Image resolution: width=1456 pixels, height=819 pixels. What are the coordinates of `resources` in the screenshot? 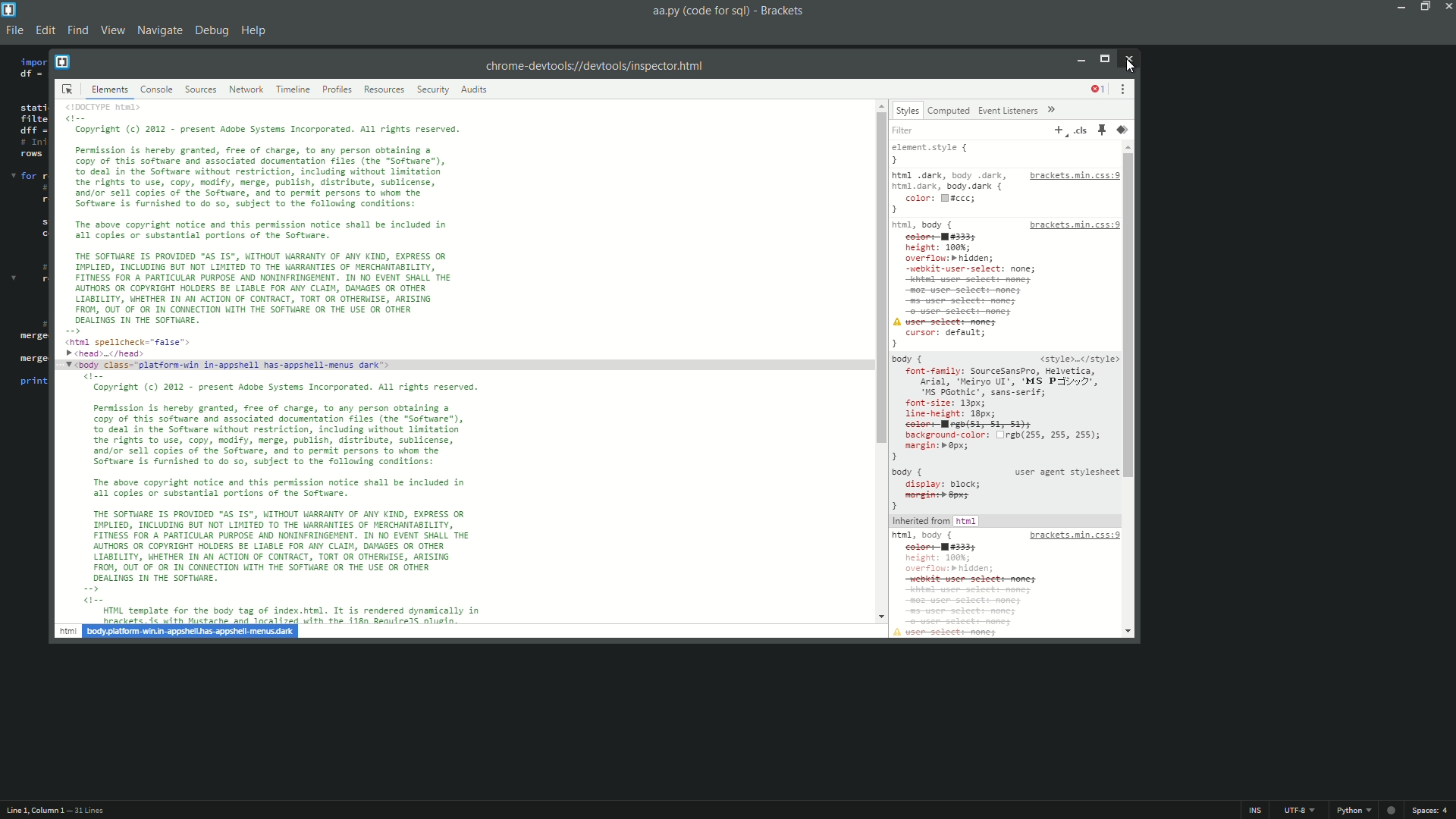 It's located at (384, 89).